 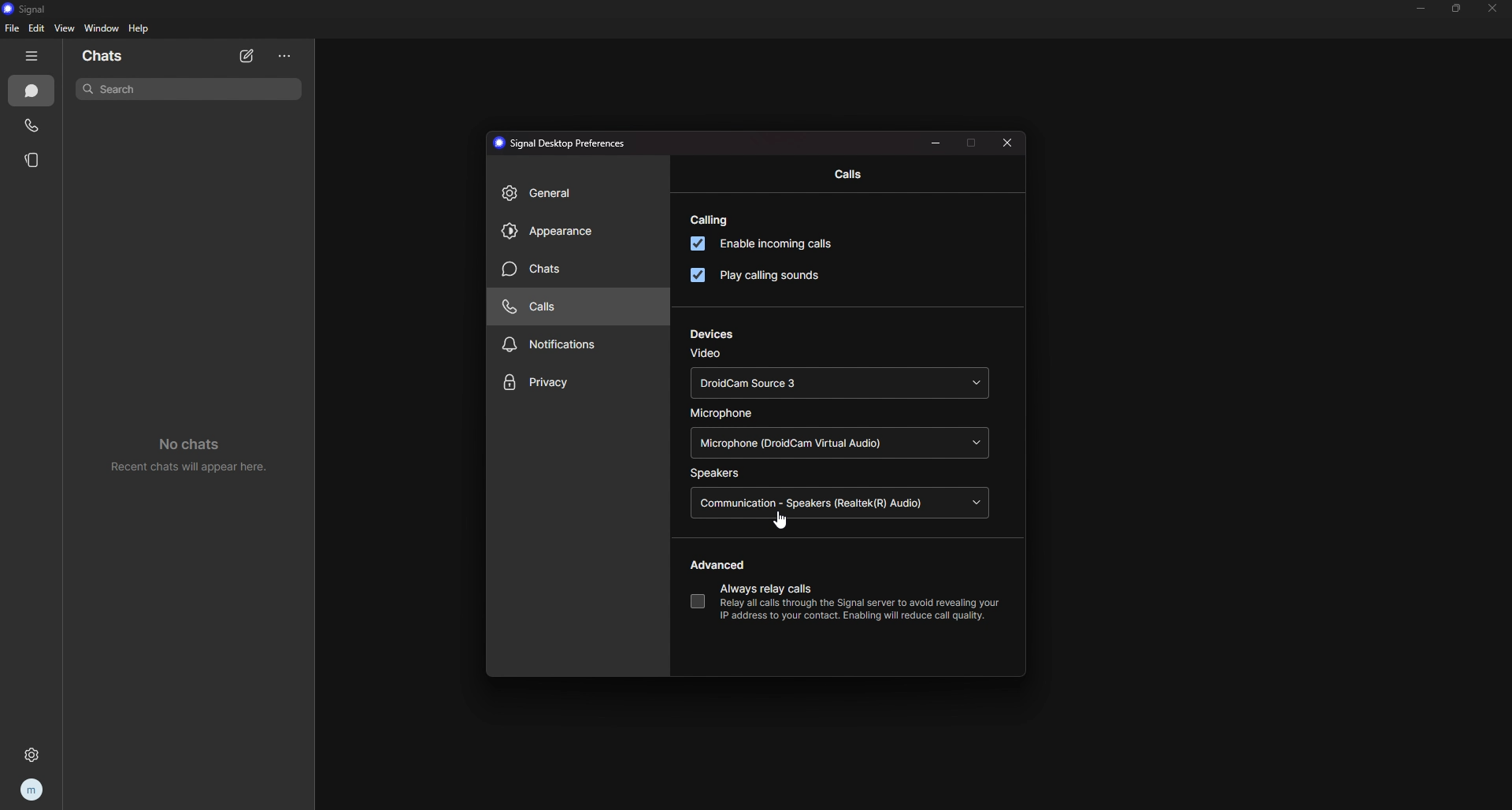 What do you see at coordinates (713, 220) in the screenshot?
I see `calling` at bounding box center [713, 220].